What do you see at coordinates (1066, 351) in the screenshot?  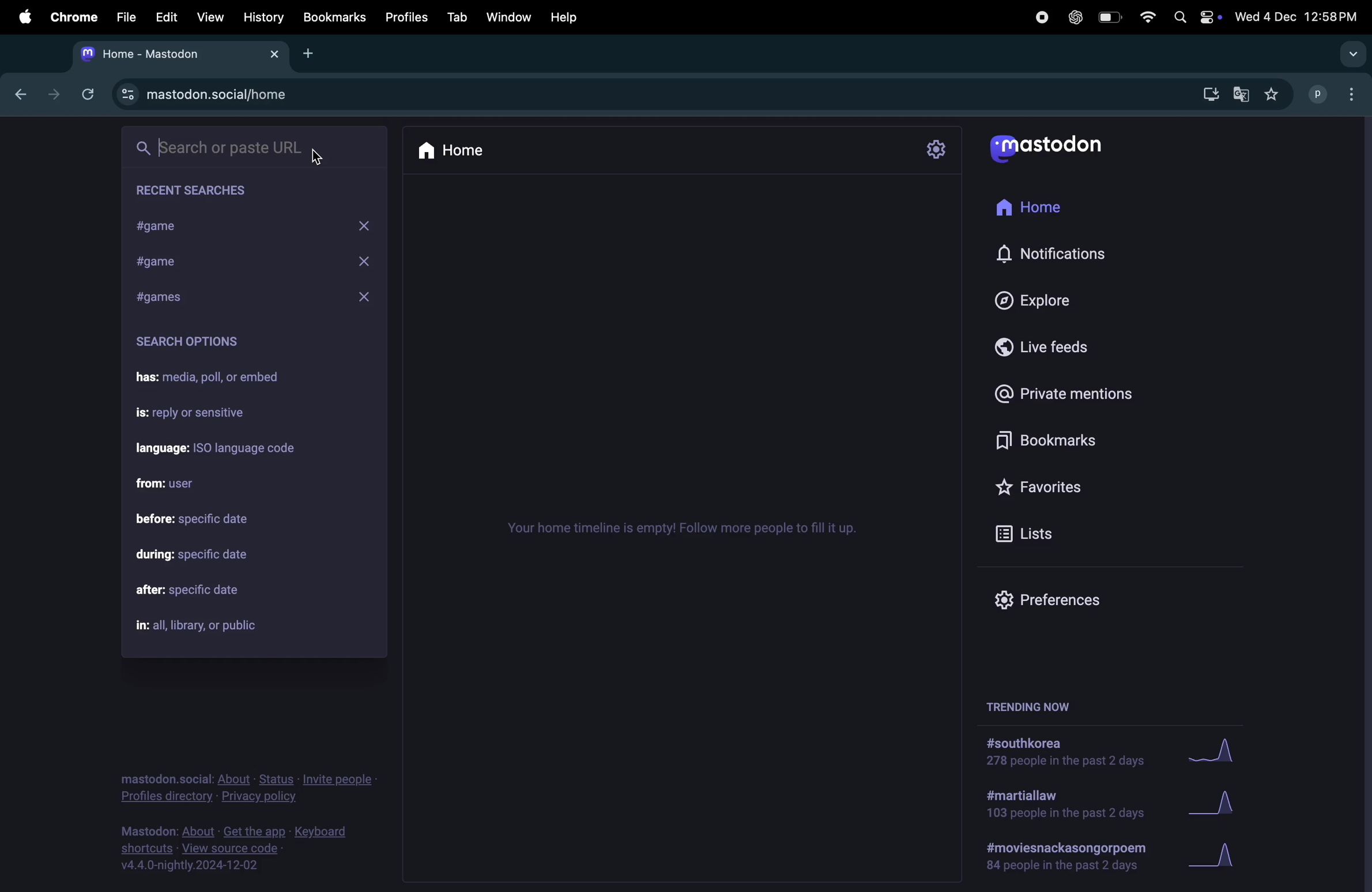 I see `Live feeds` at bounding box center [1066, 351].